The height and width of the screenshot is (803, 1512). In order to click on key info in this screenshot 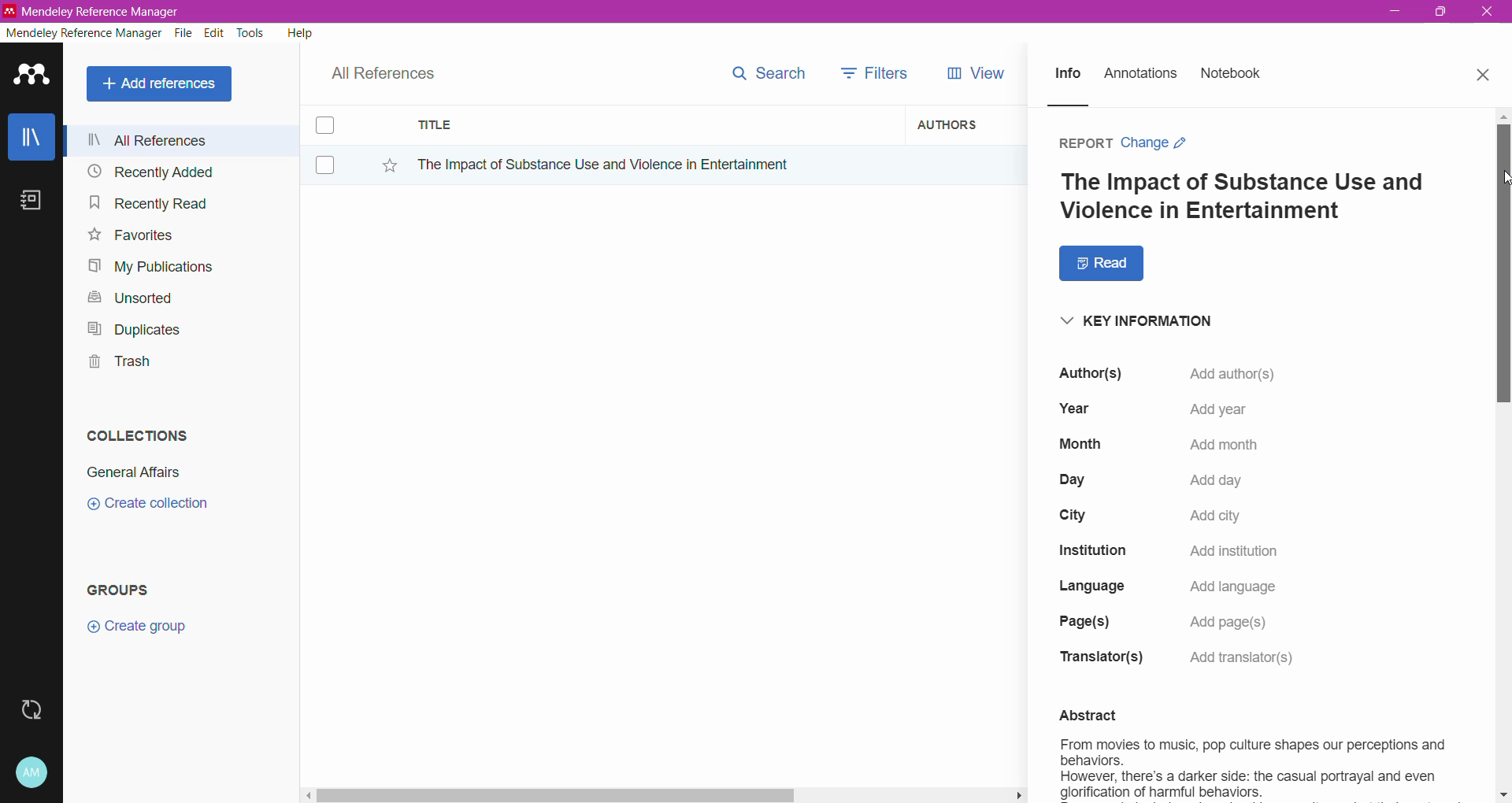, I will do `click(1145, 320)`.